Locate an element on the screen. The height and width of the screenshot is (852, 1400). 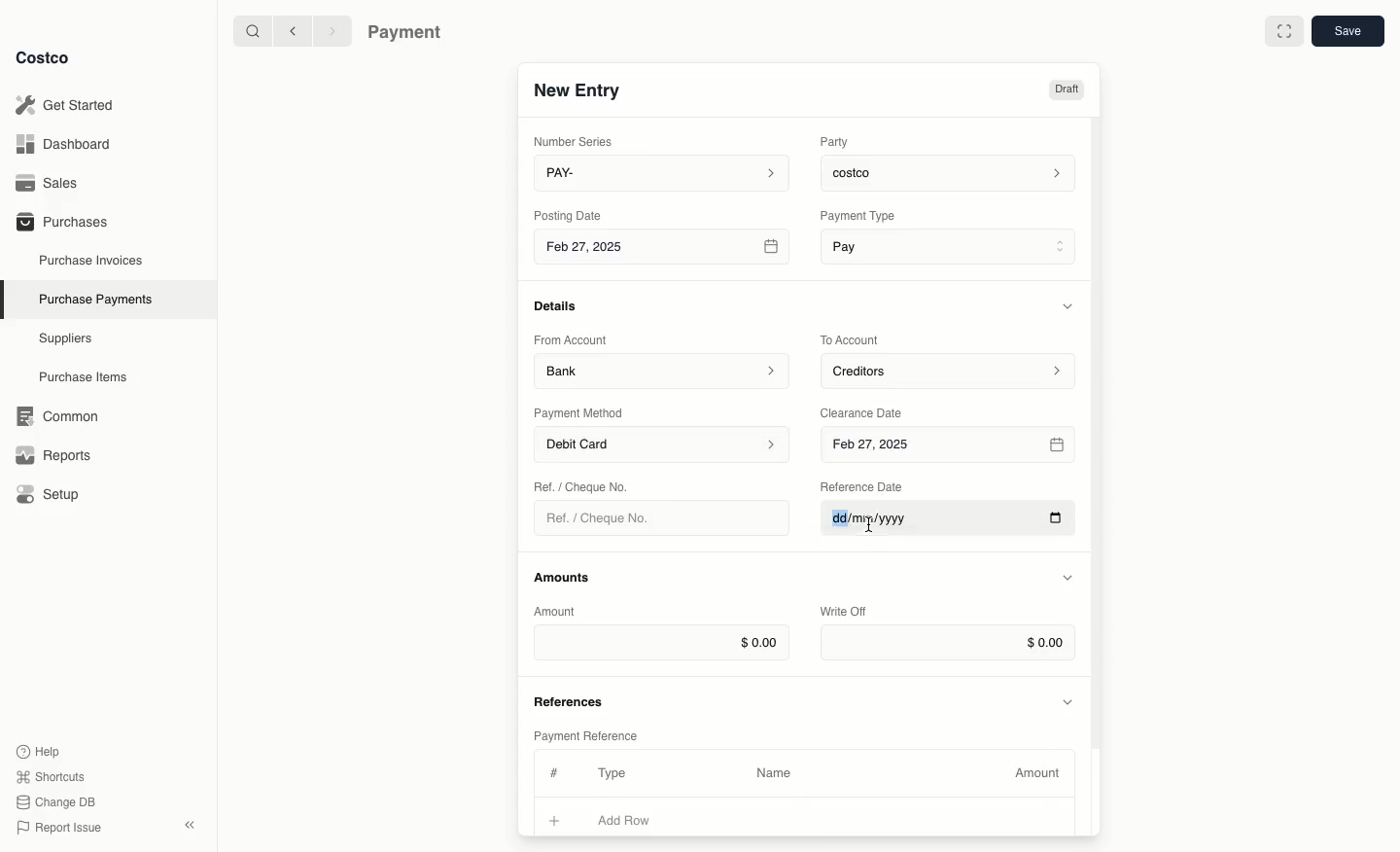
Setup is located at coordinates (54, 496).